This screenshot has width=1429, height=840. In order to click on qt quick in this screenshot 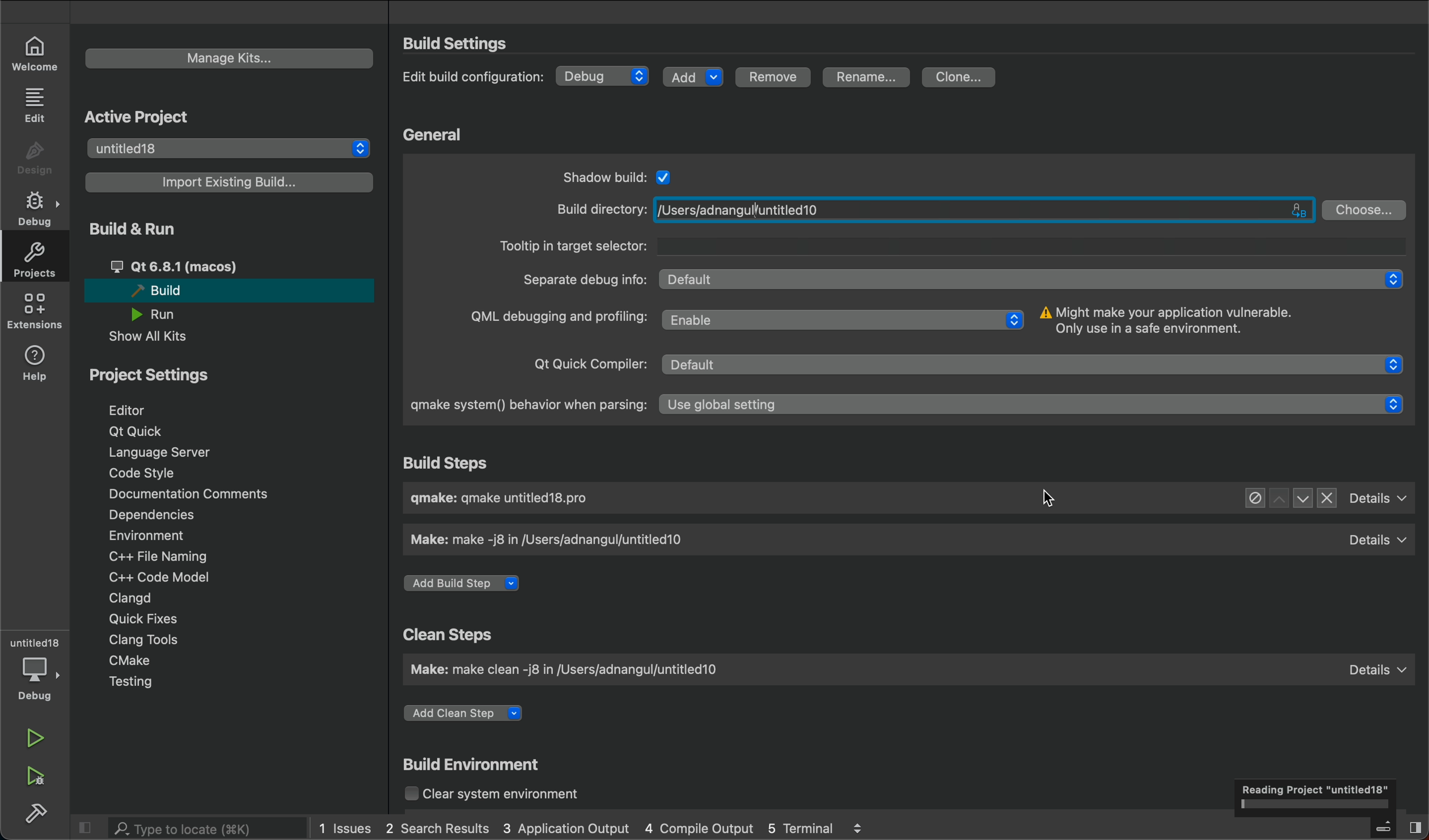, I will do `click(150, 431)`.